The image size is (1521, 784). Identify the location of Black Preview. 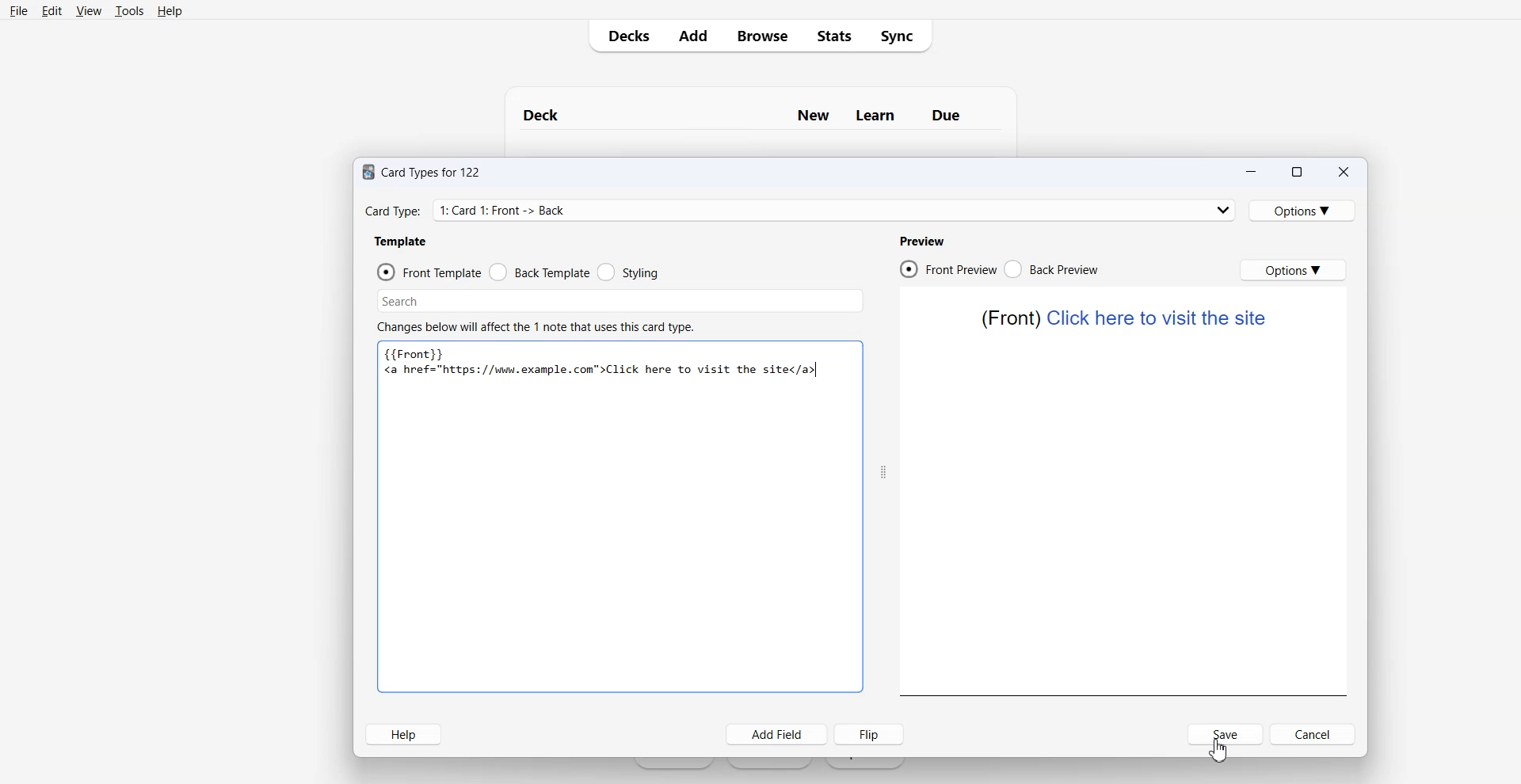
(1050, 268).